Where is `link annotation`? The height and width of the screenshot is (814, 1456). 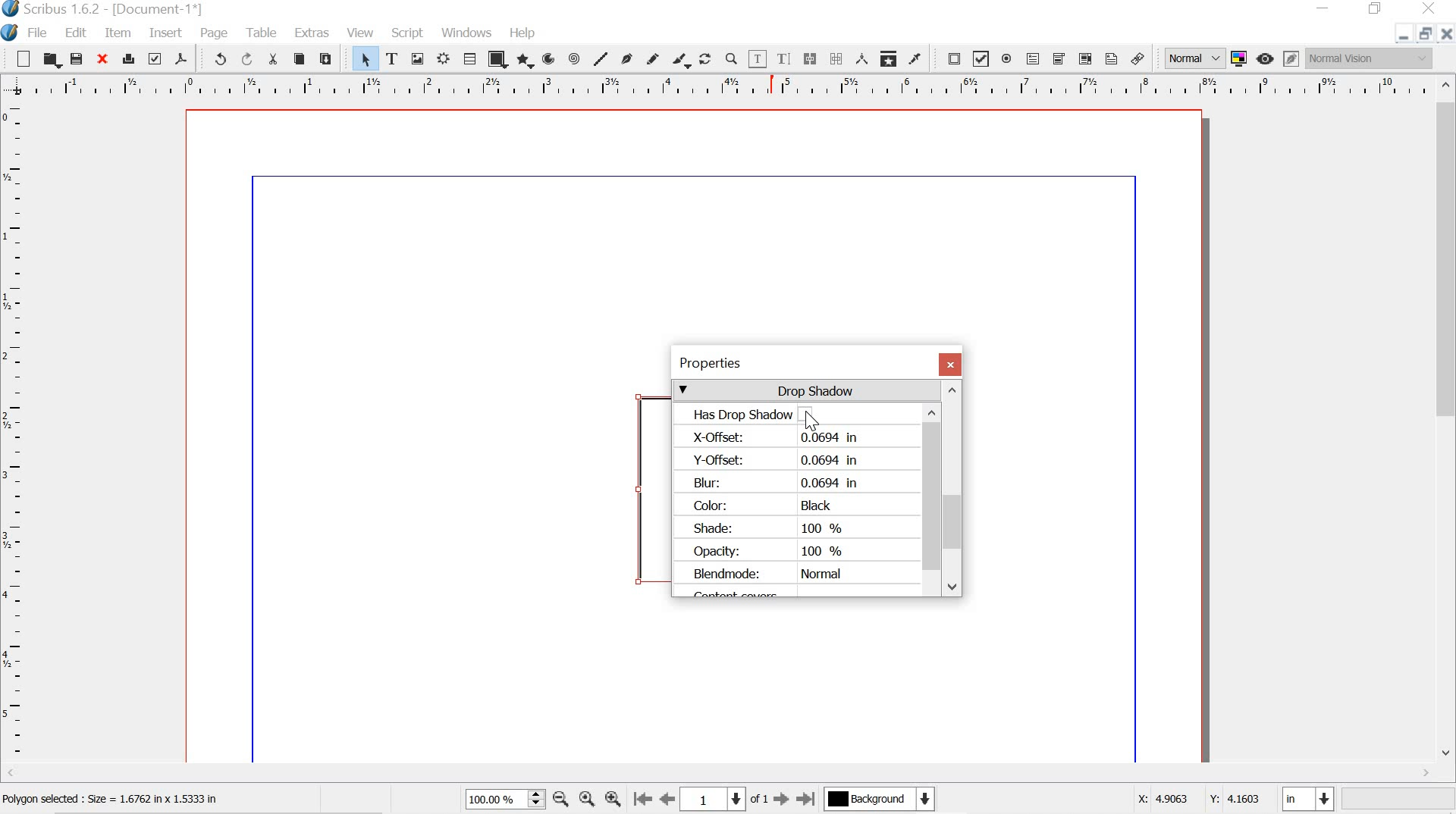 link annotation is located at coordinates (1141, 58).